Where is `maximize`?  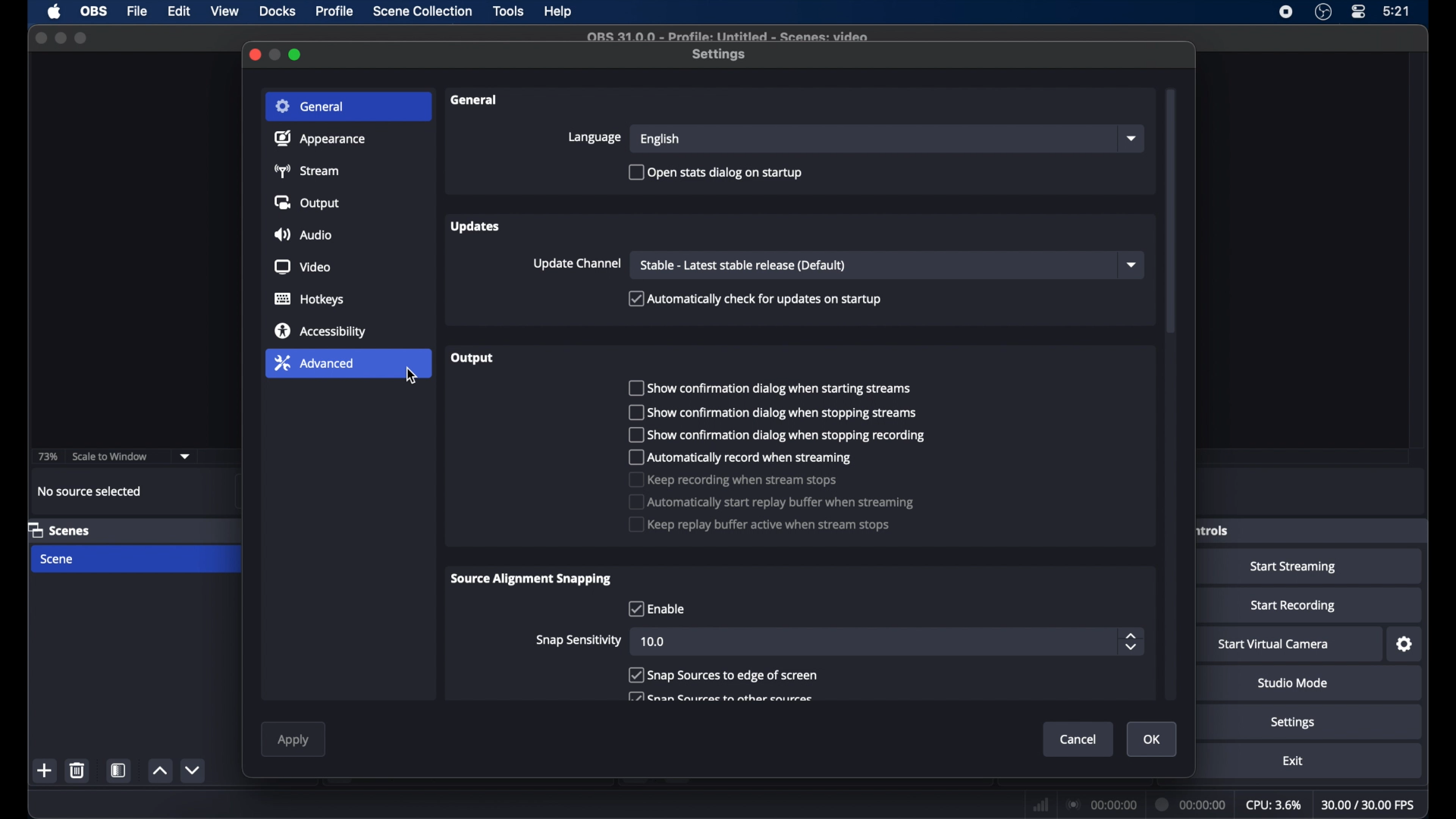 maximize is located at coordinates (297, 55).